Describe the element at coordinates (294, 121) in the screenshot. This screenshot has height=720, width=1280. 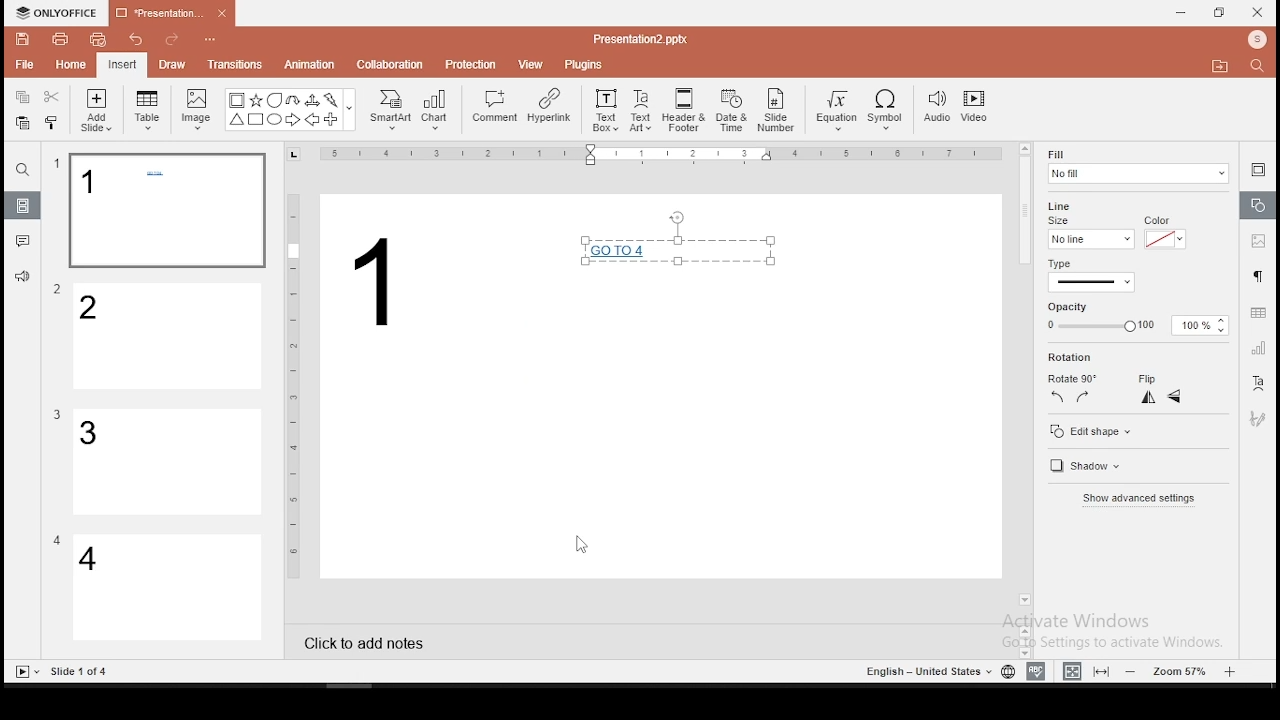
I see `Arrow Right` at that location.